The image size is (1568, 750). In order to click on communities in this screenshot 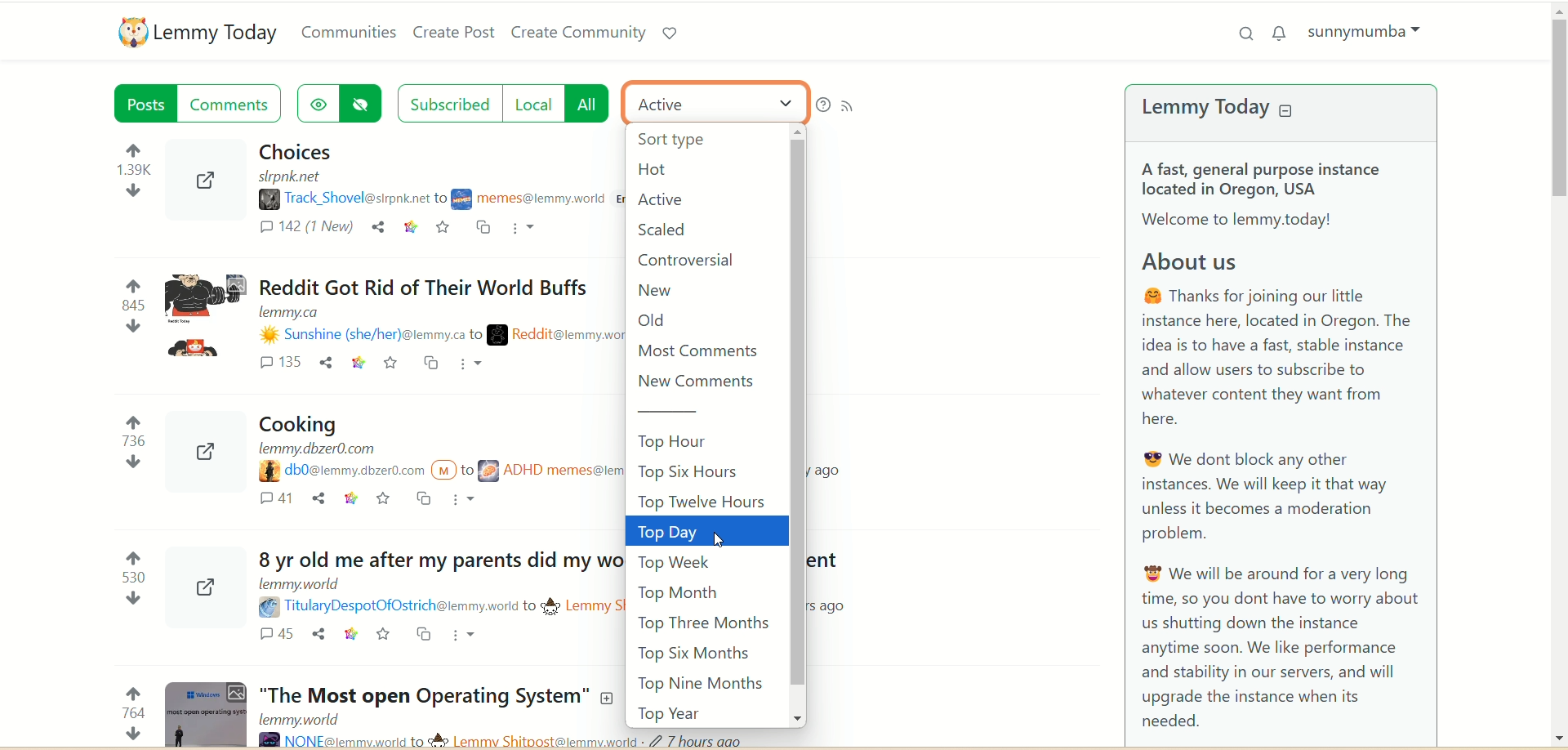, I will do `click(350, 32)`.